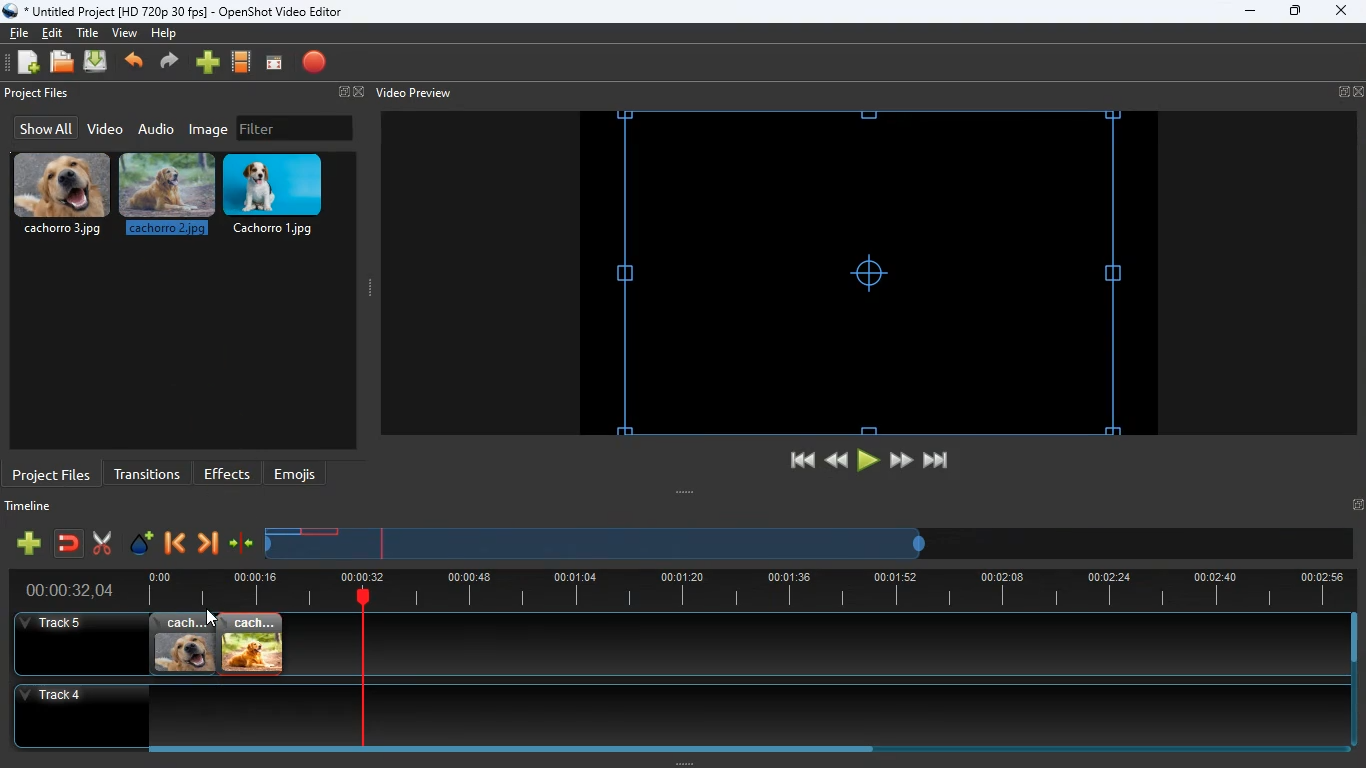  I want to click on image 2 timeline, so click(322, 531).